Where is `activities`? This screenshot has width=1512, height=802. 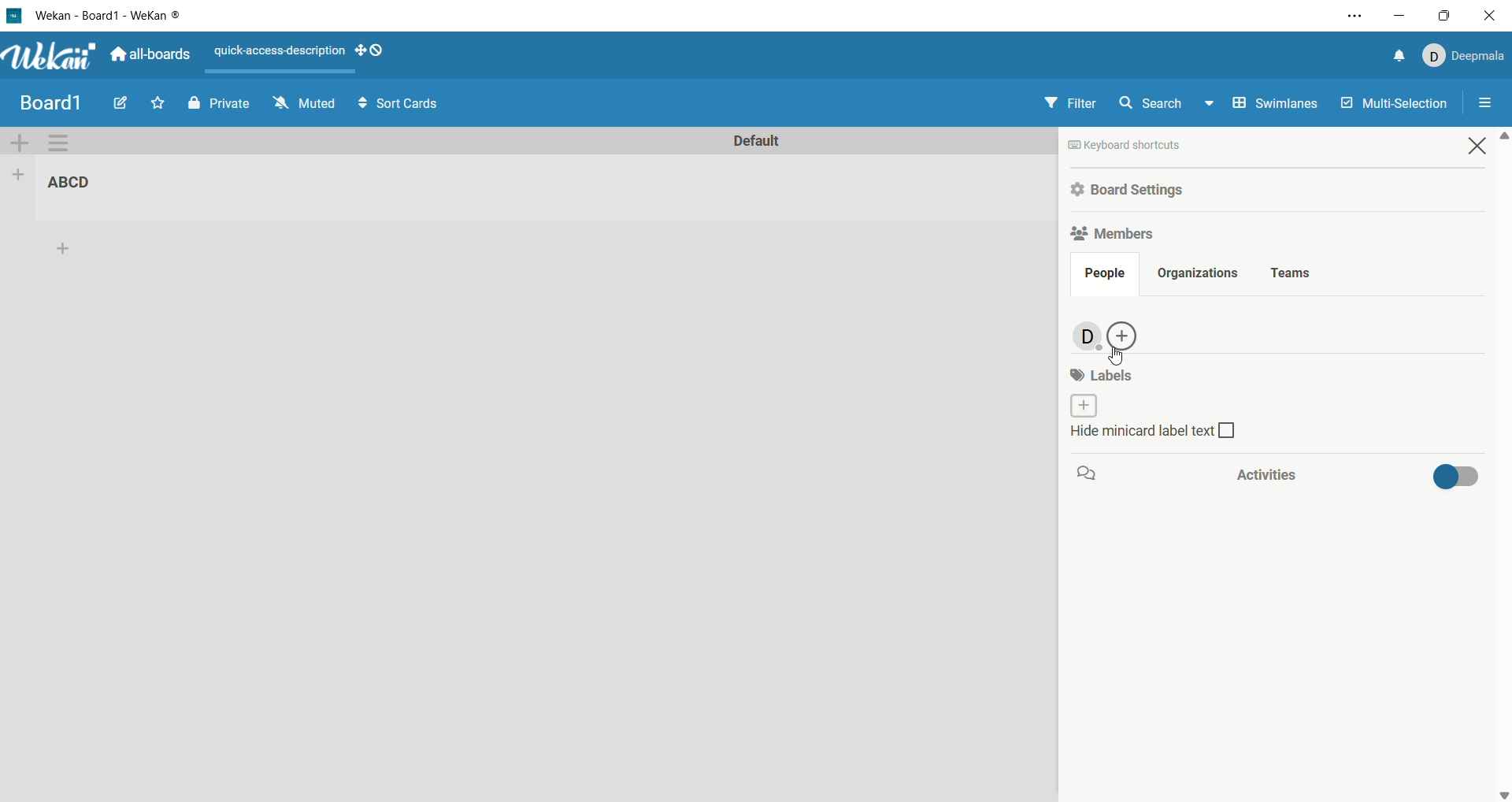
activities is located at coordinates (1263, 474).